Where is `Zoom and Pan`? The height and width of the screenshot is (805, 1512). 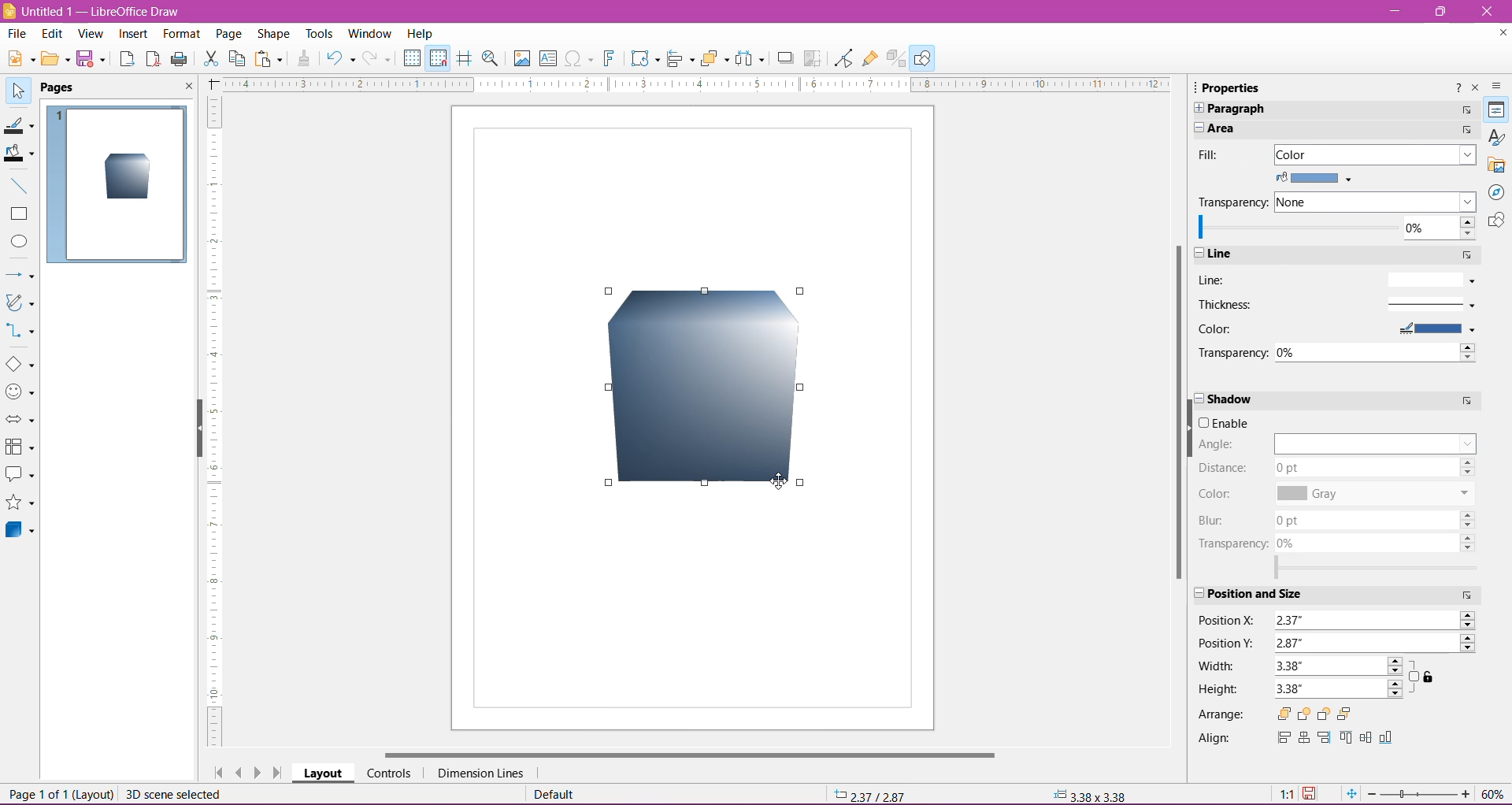
Zoom and Pan is located at coordinates (492, 61).